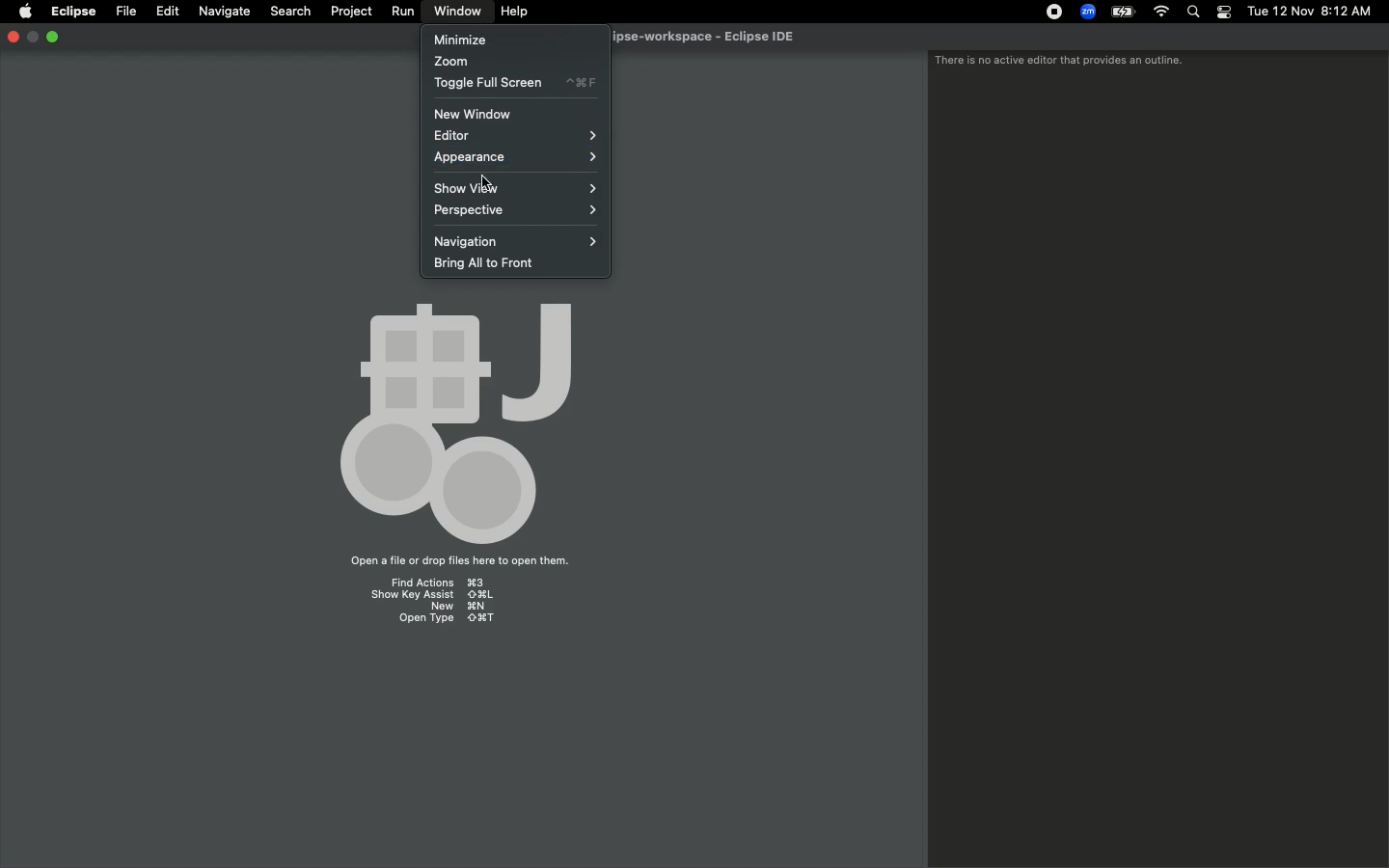 The image size is (1389, 868). Describe the element at coordinates (459, 39) in the screenshot. I see `Minimize` at that location.